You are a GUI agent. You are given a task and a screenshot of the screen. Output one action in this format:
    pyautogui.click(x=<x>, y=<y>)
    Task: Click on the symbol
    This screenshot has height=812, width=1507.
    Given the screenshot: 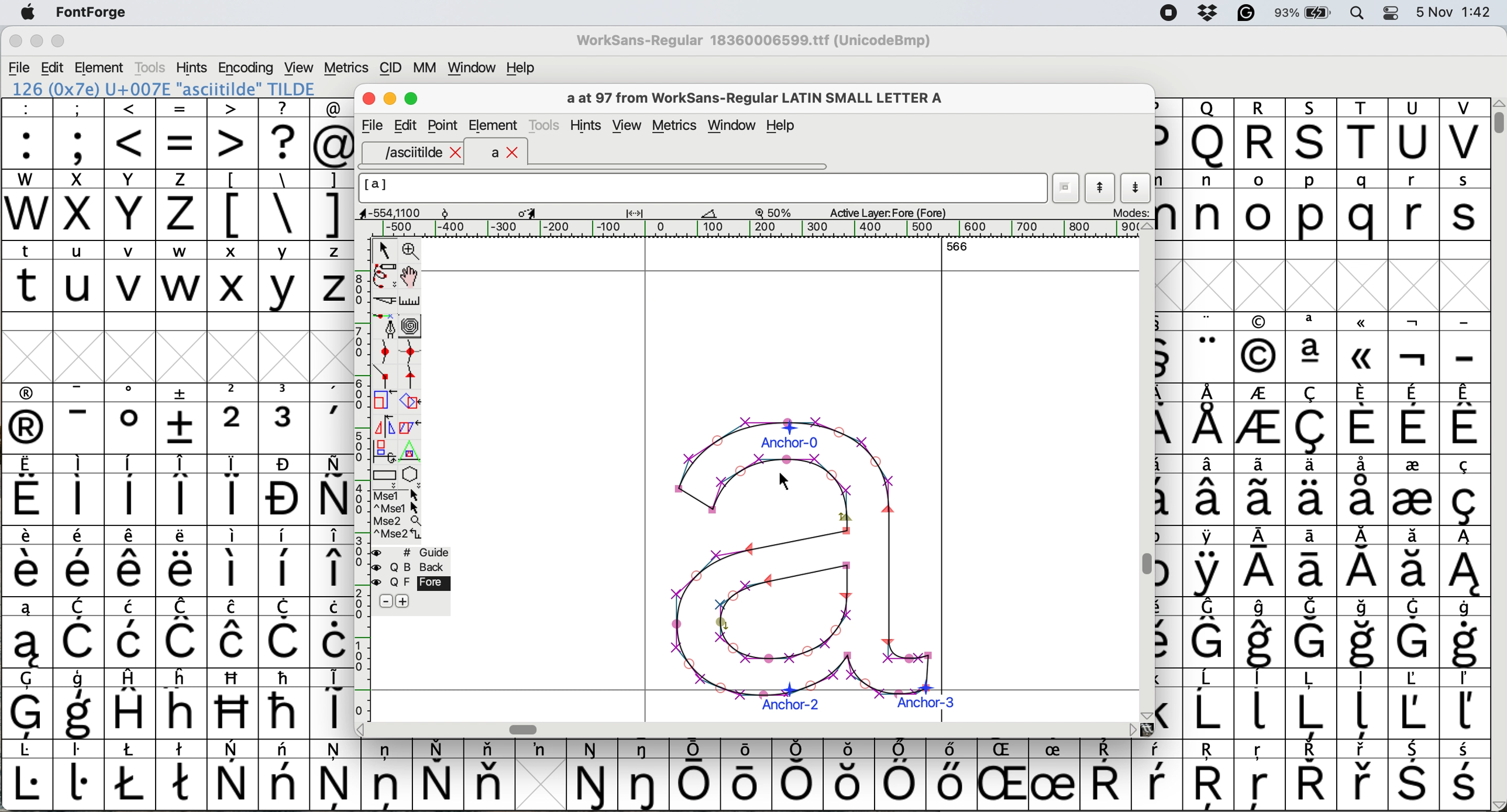 What is the action you would take?
    pyautogui.click(x=183, y=490)
    